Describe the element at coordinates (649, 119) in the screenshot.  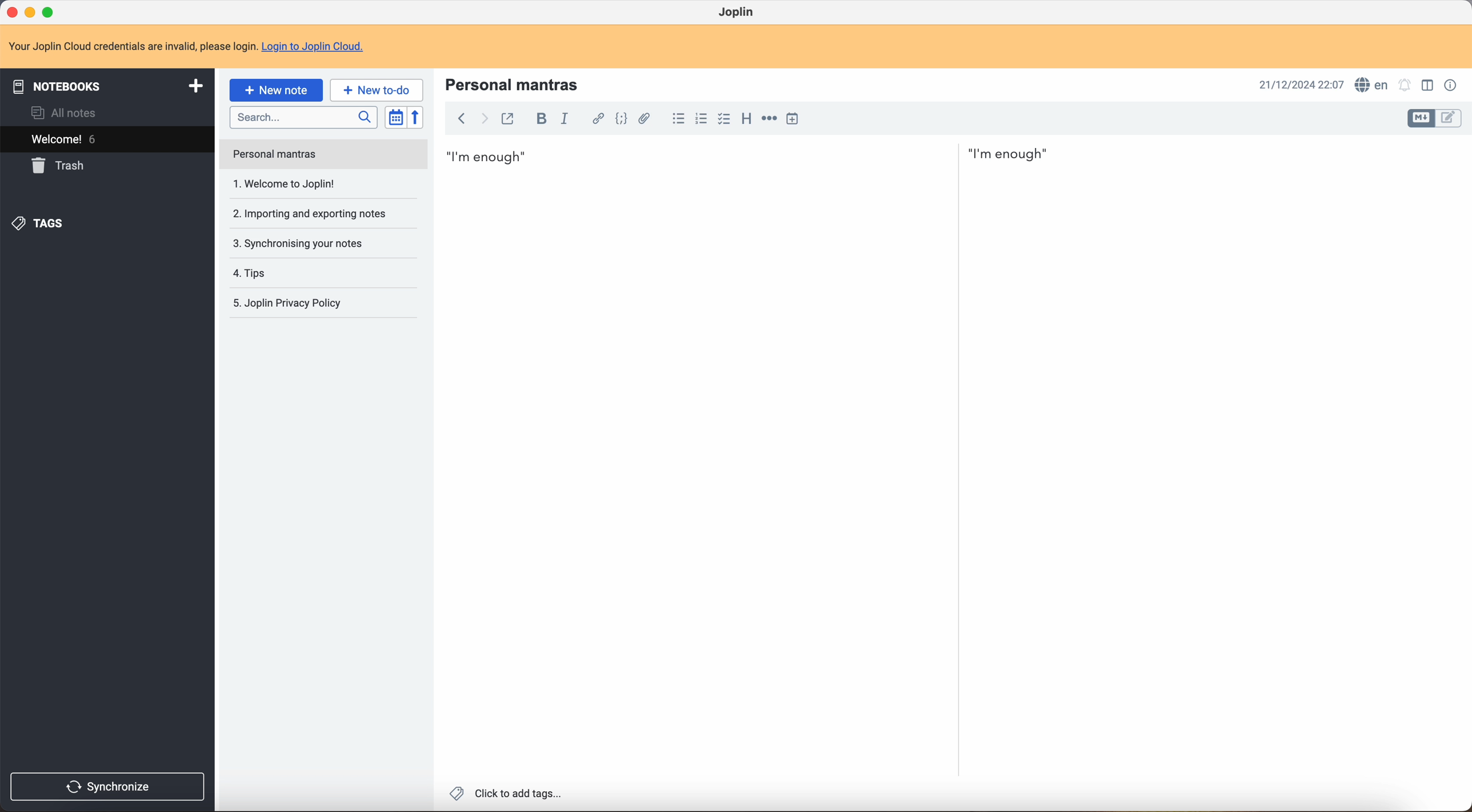
I see `attach file` at that location.